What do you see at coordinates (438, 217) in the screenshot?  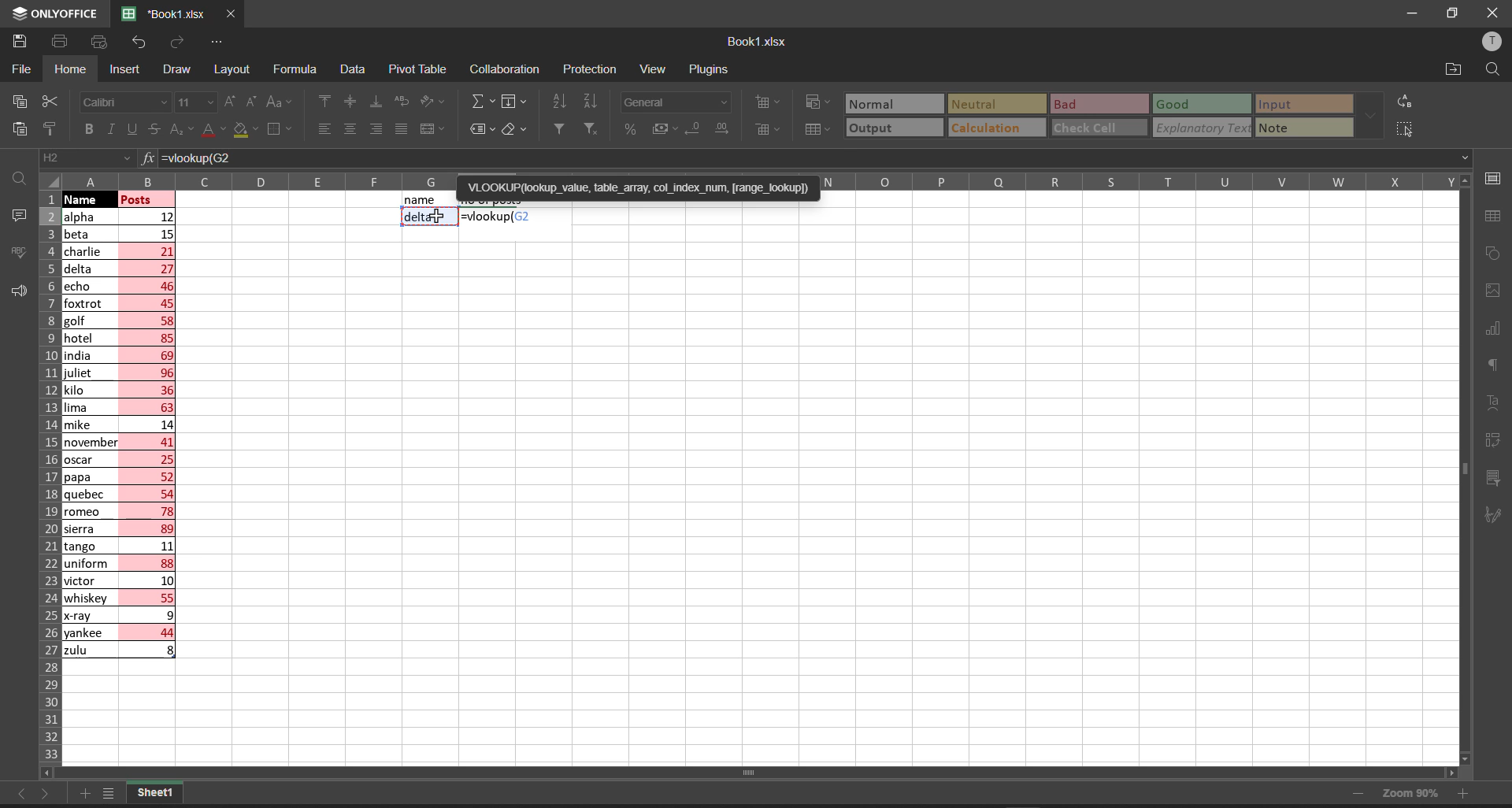 I see `cursor` at bounding box center [438, 217].